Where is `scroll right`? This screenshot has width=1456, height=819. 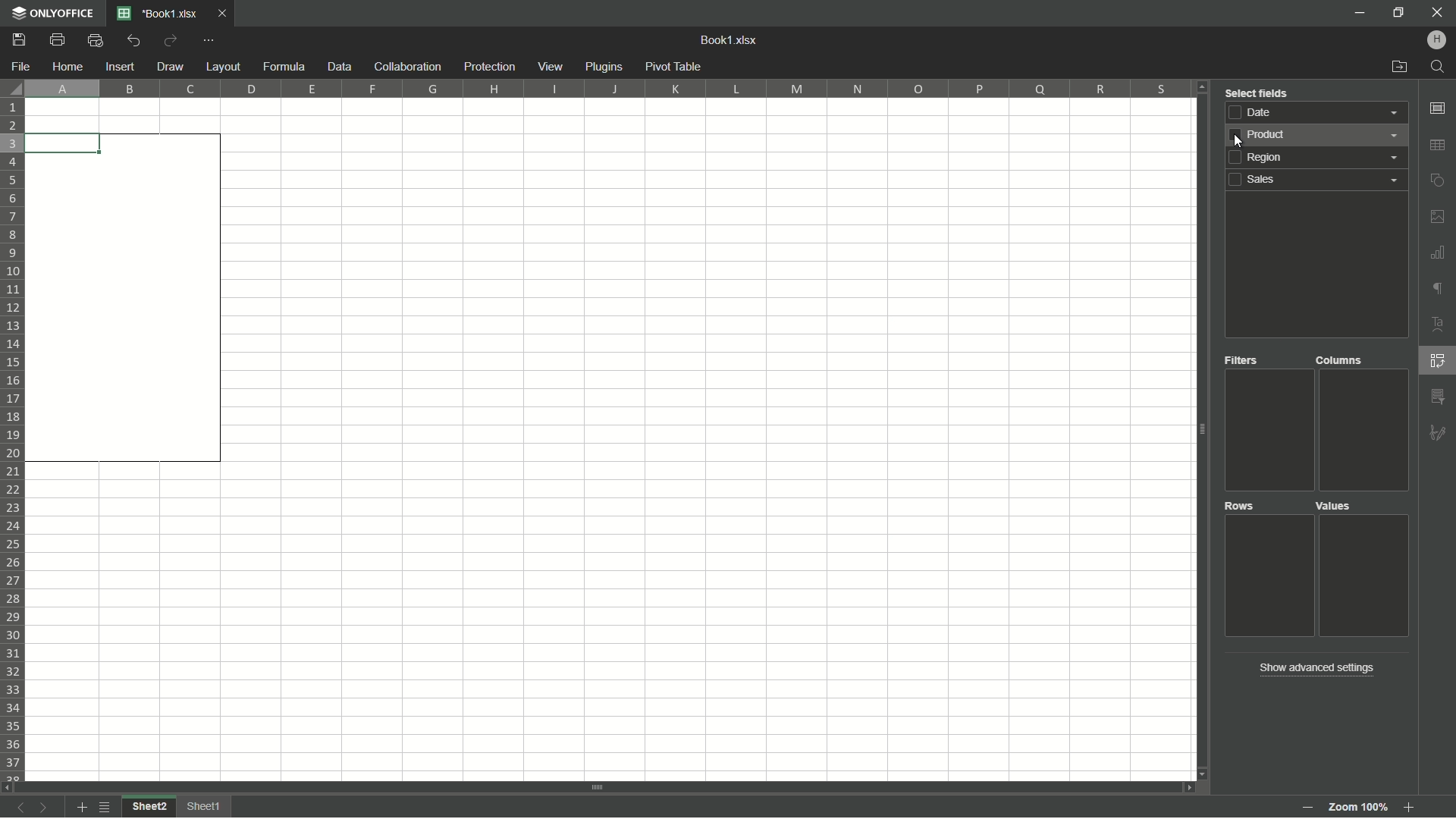 scroll right is located at coordinates (1183, 787).